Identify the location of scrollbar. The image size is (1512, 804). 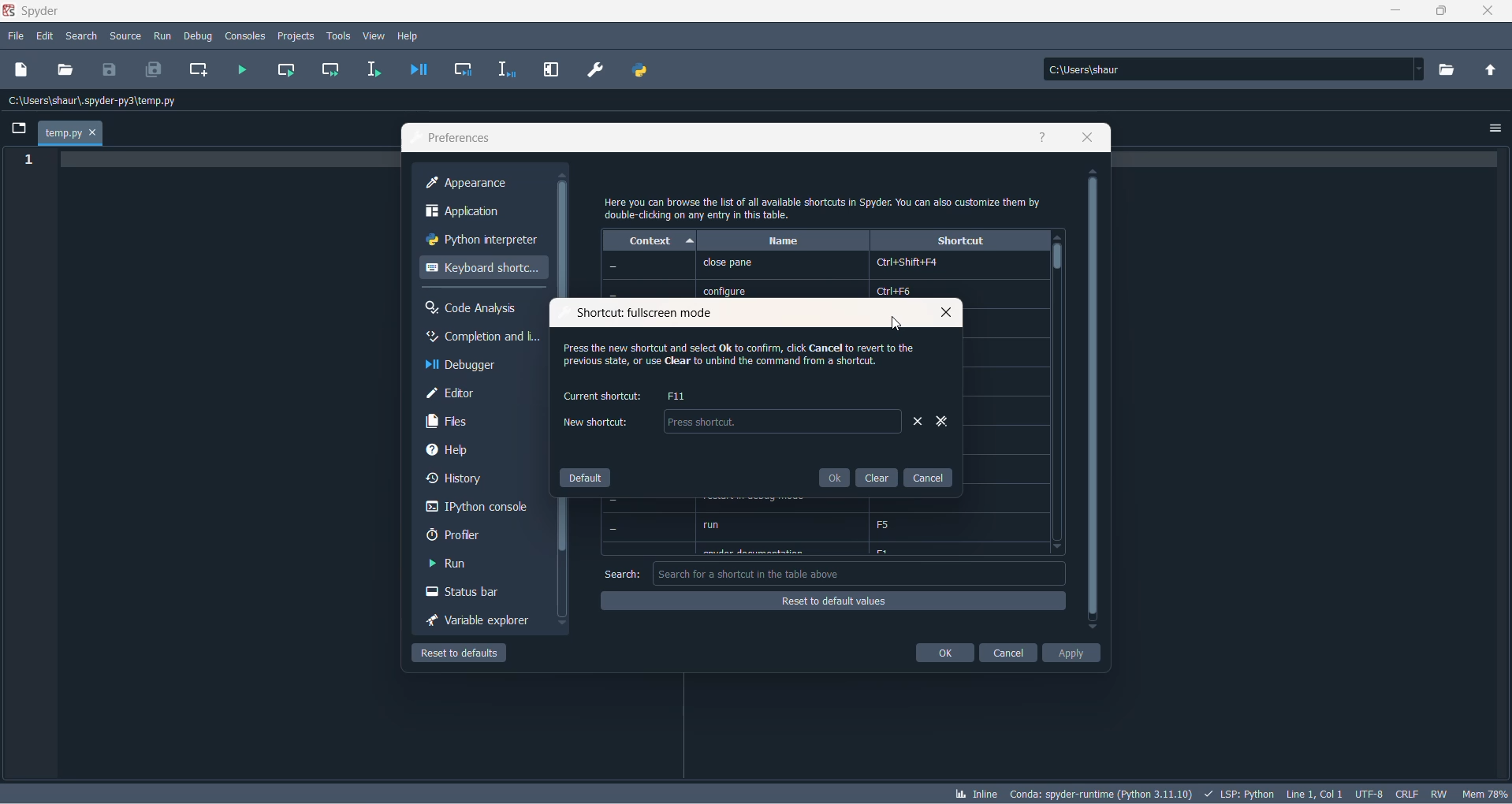
(566, 240).